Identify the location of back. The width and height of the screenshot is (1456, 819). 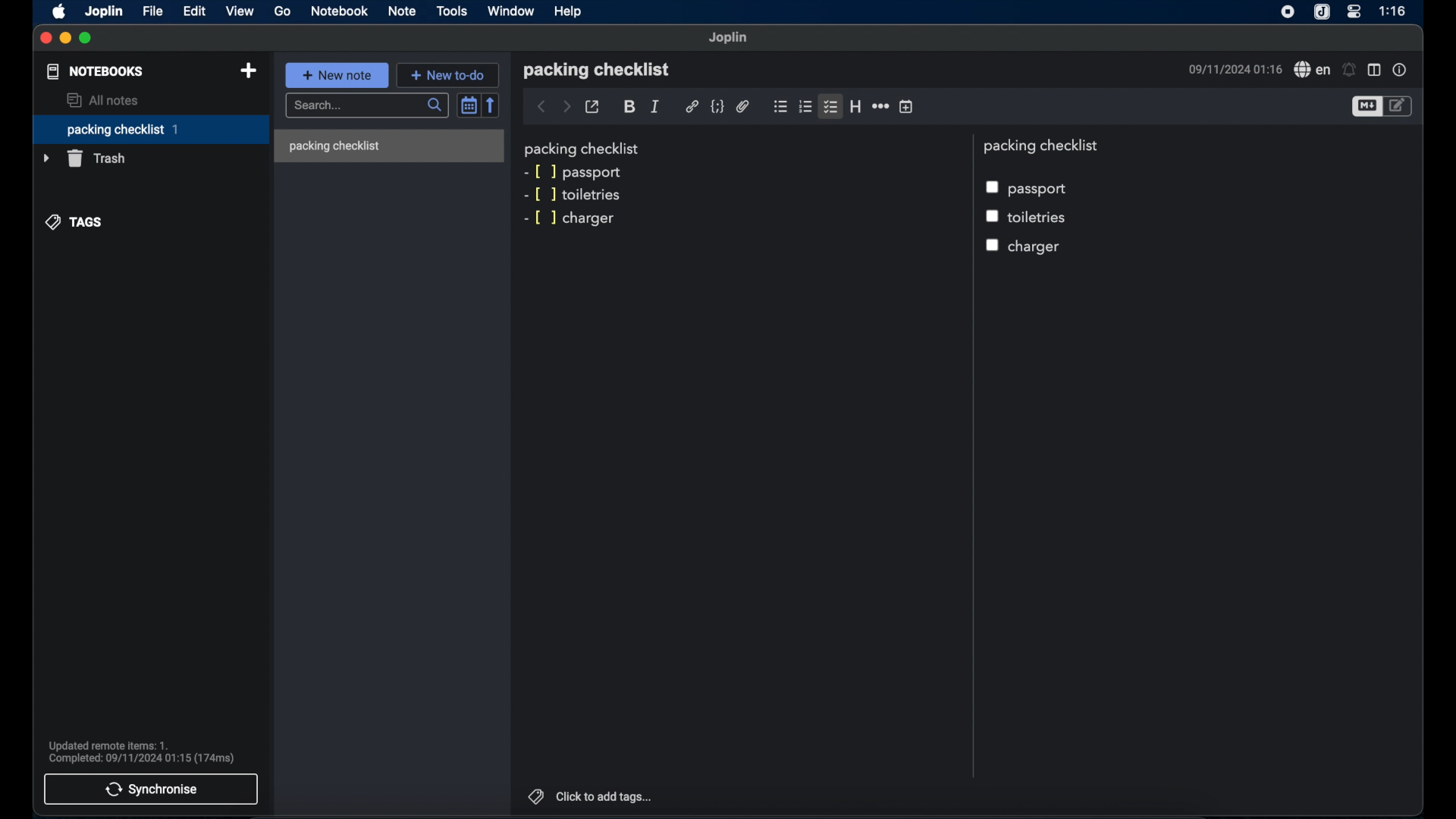
(541, 107).